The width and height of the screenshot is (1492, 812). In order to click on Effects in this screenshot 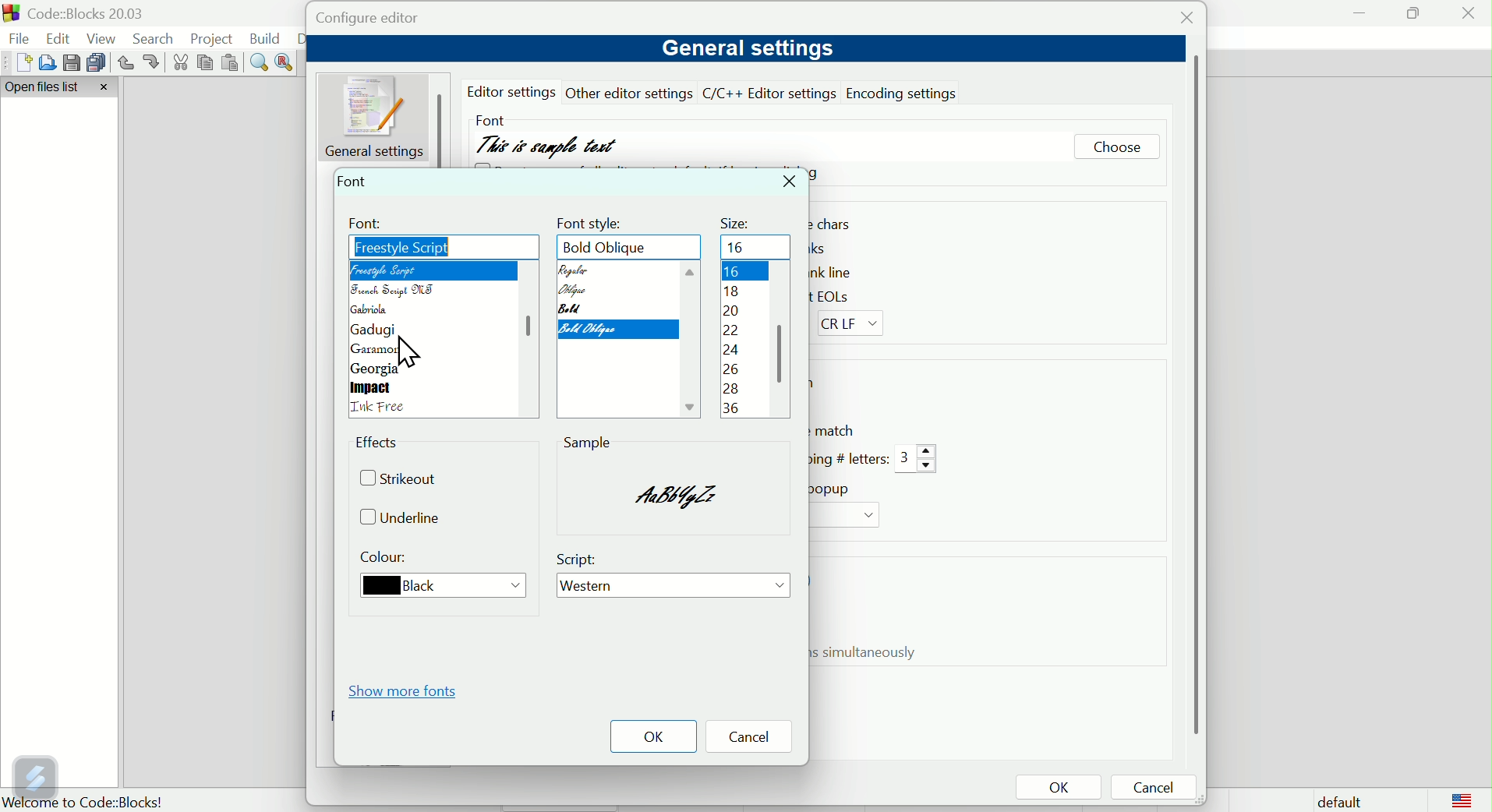, I will do `click(380, 445)`.